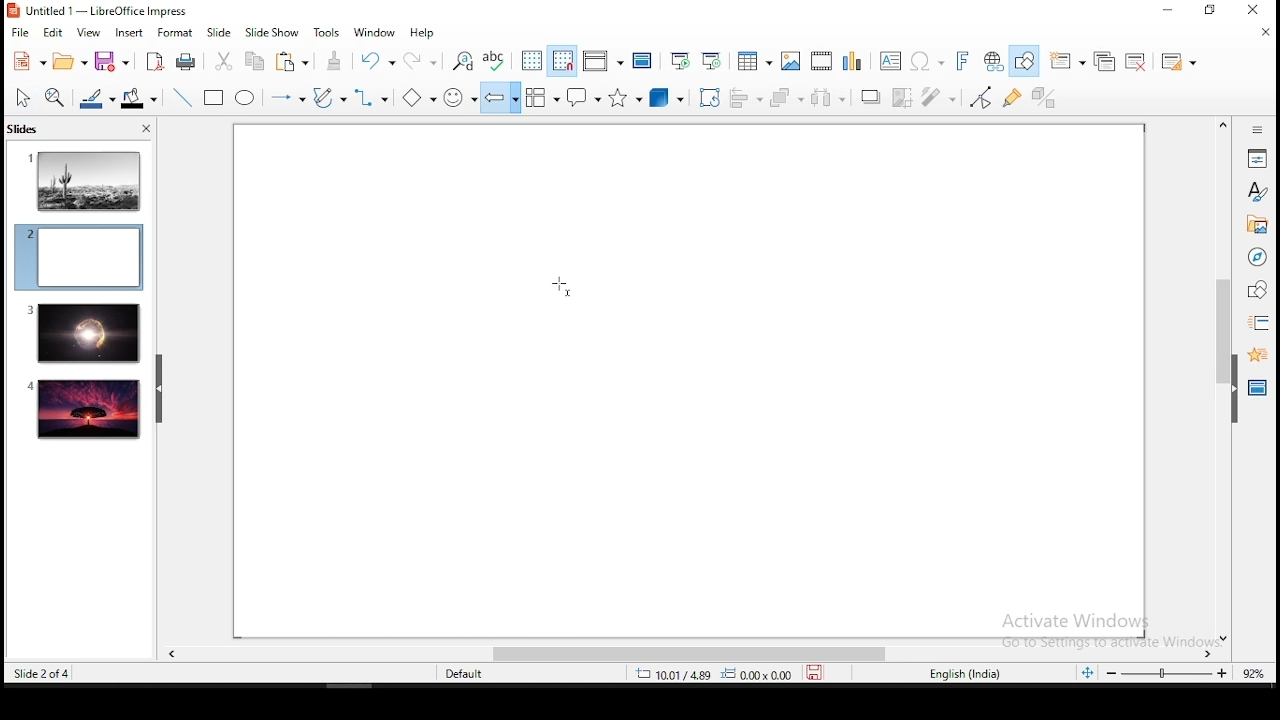 The image size is (1280, 720). What do you see at coordinates (681, 654) in the screenshot?
I see `scroll bar` at bounding box center [681, 654].